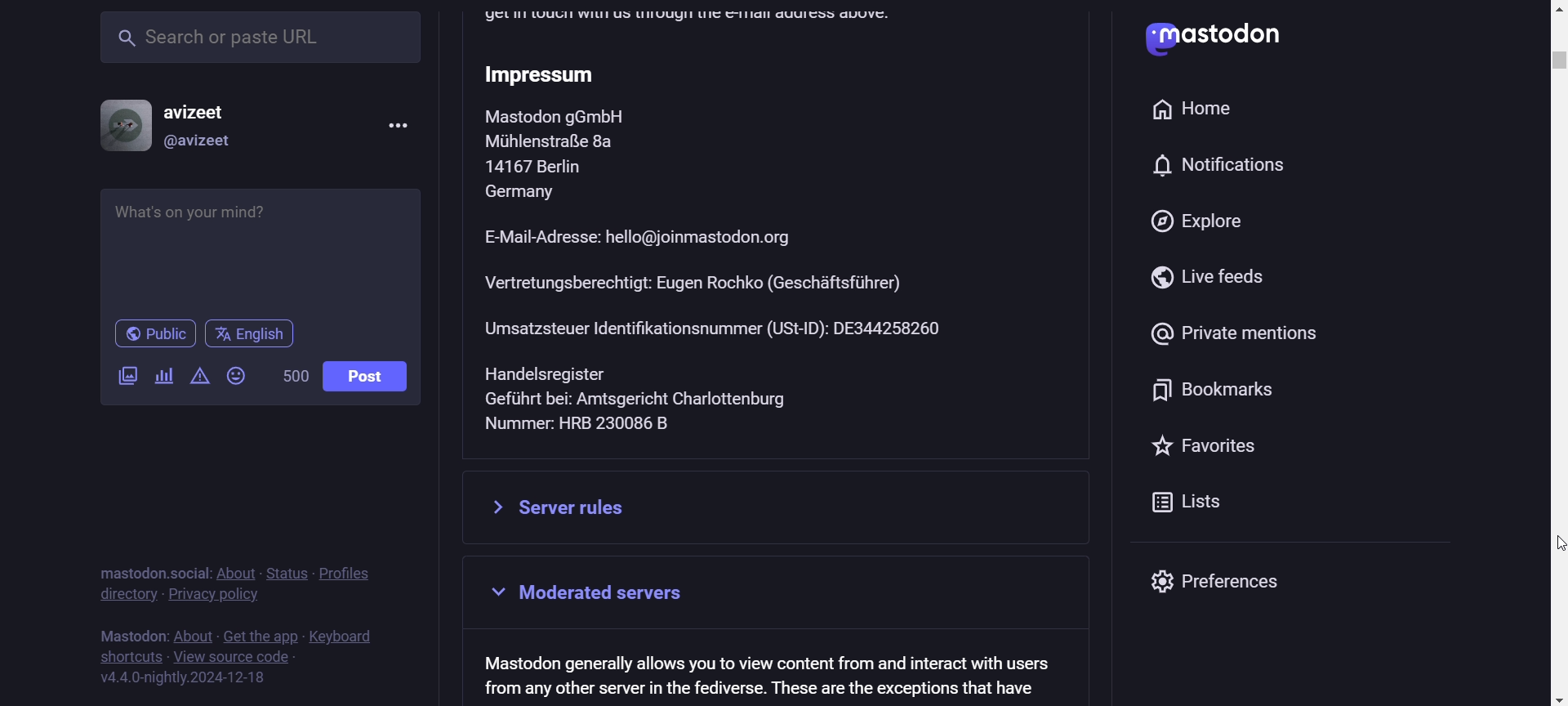  I want to click on Language, so click(249, 334).